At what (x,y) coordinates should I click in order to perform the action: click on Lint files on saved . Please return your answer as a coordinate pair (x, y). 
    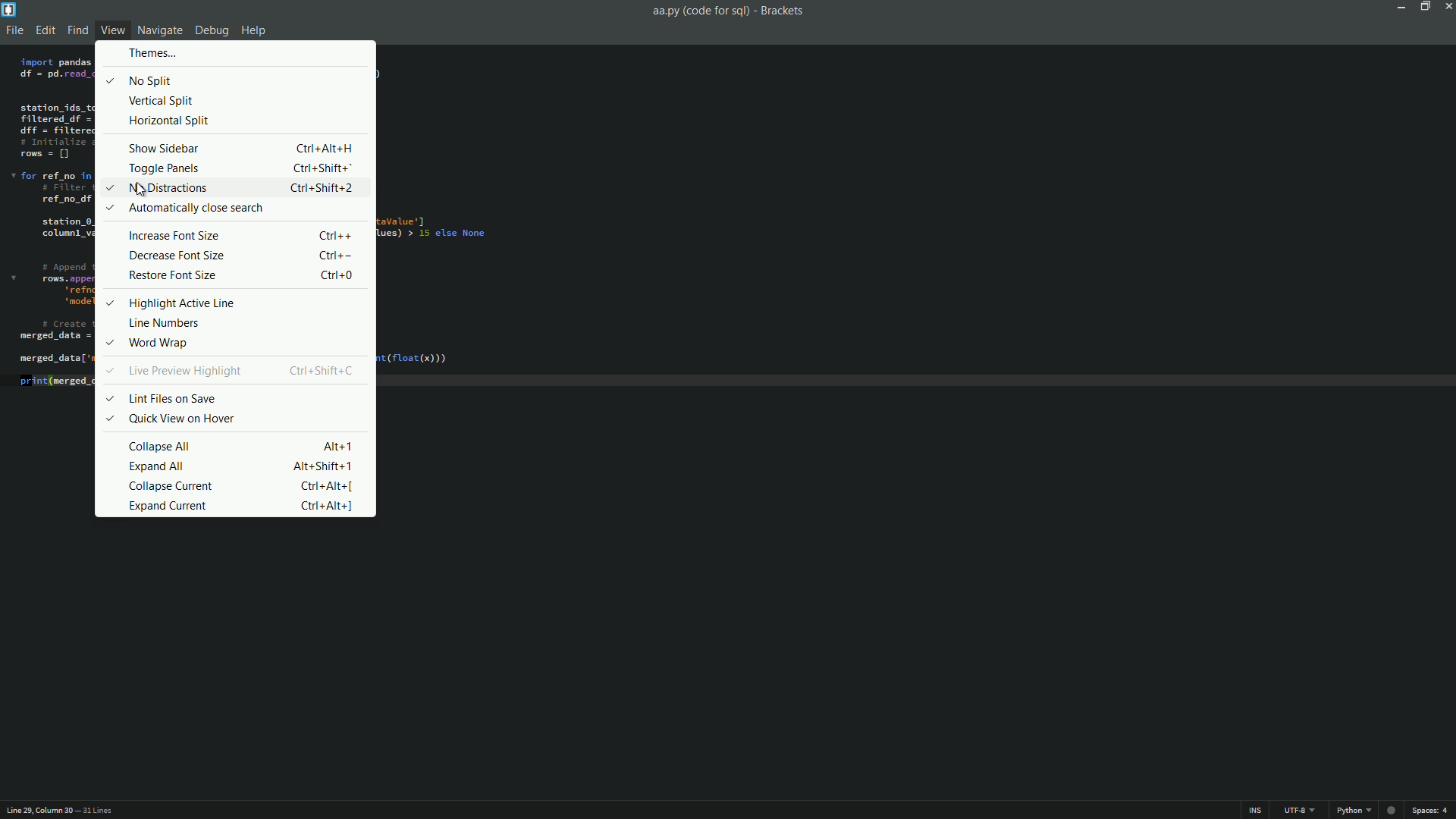
    Looking at the image, I should click on (162, 399).